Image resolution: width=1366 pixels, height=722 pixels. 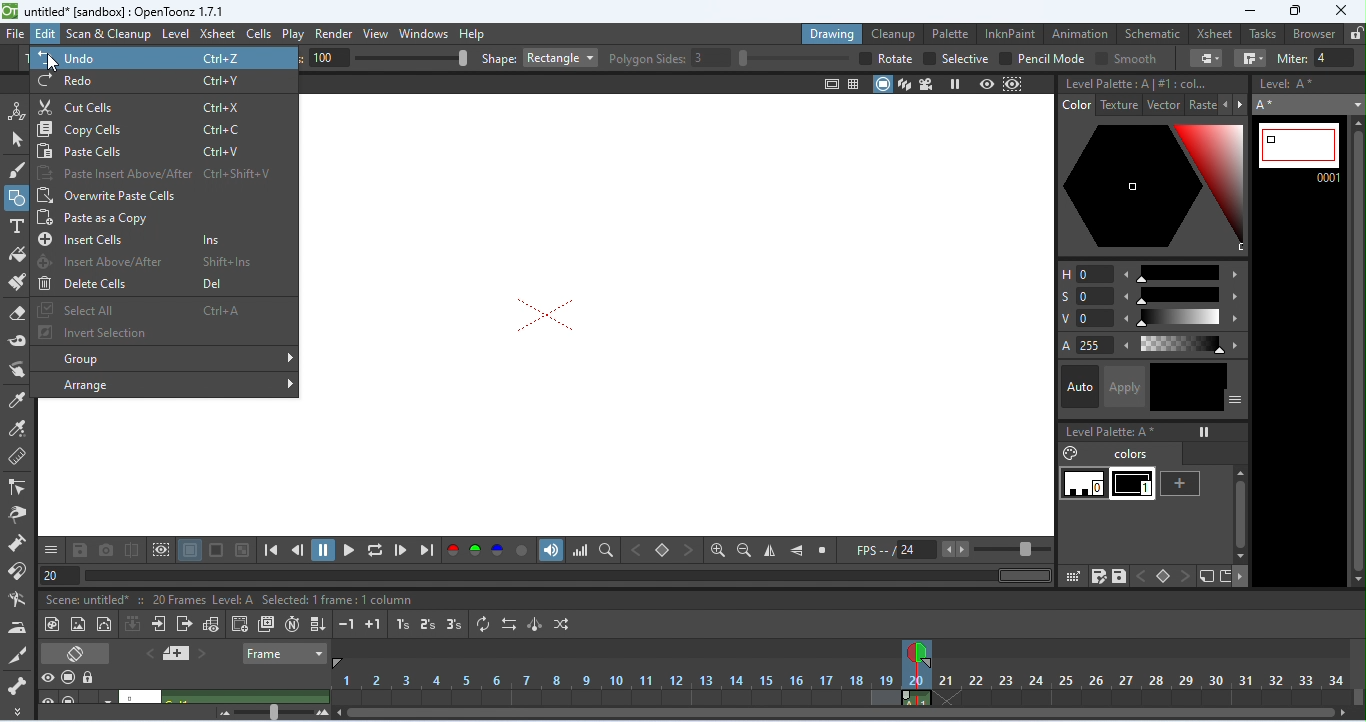 What do you see at coordinates (454, 624) in the screenshot?
I see `reframe on 3's` at bounding box center [454, 624].